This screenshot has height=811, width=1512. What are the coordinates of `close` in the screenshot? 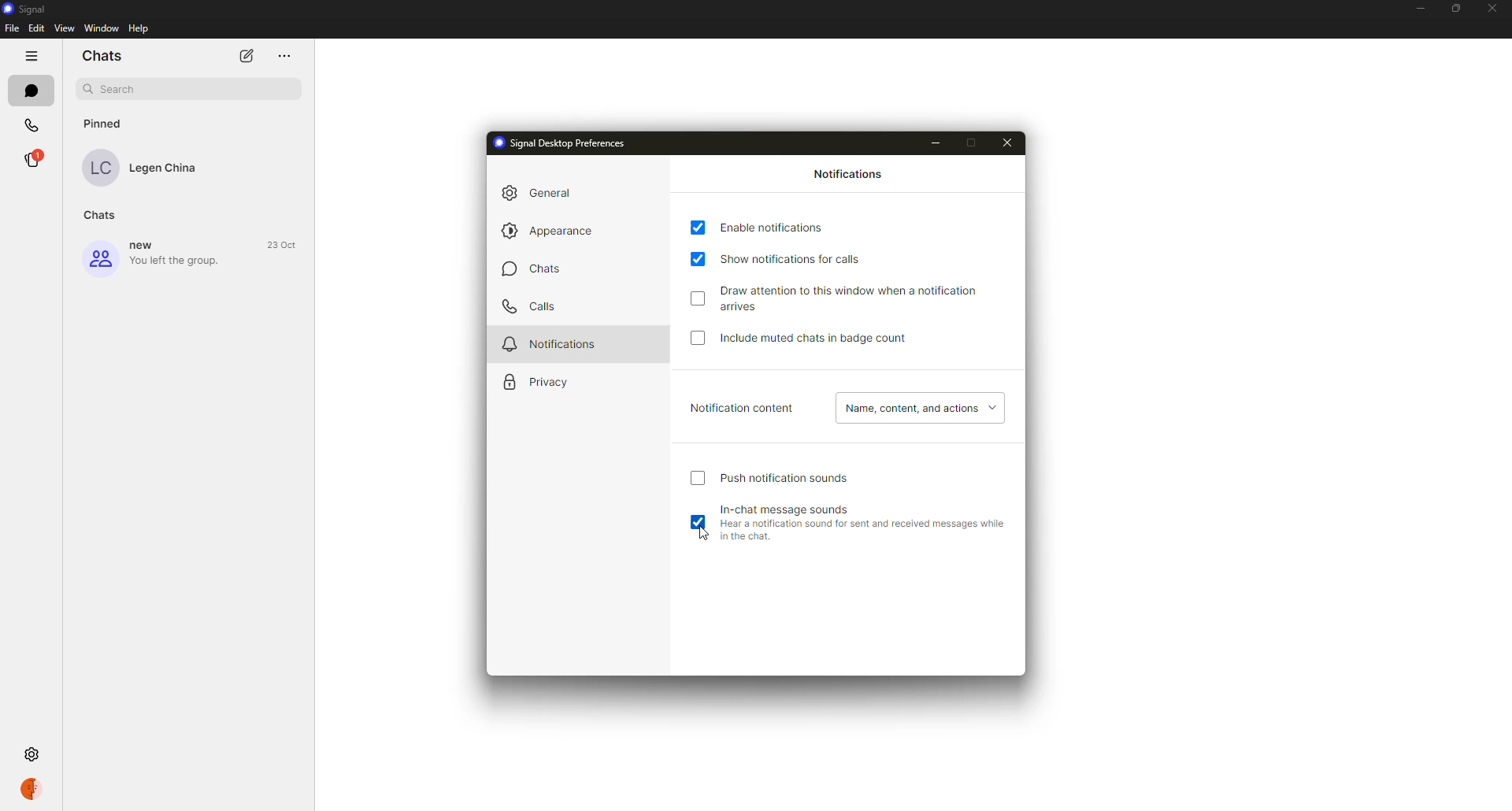 It's located at (1006, 143).